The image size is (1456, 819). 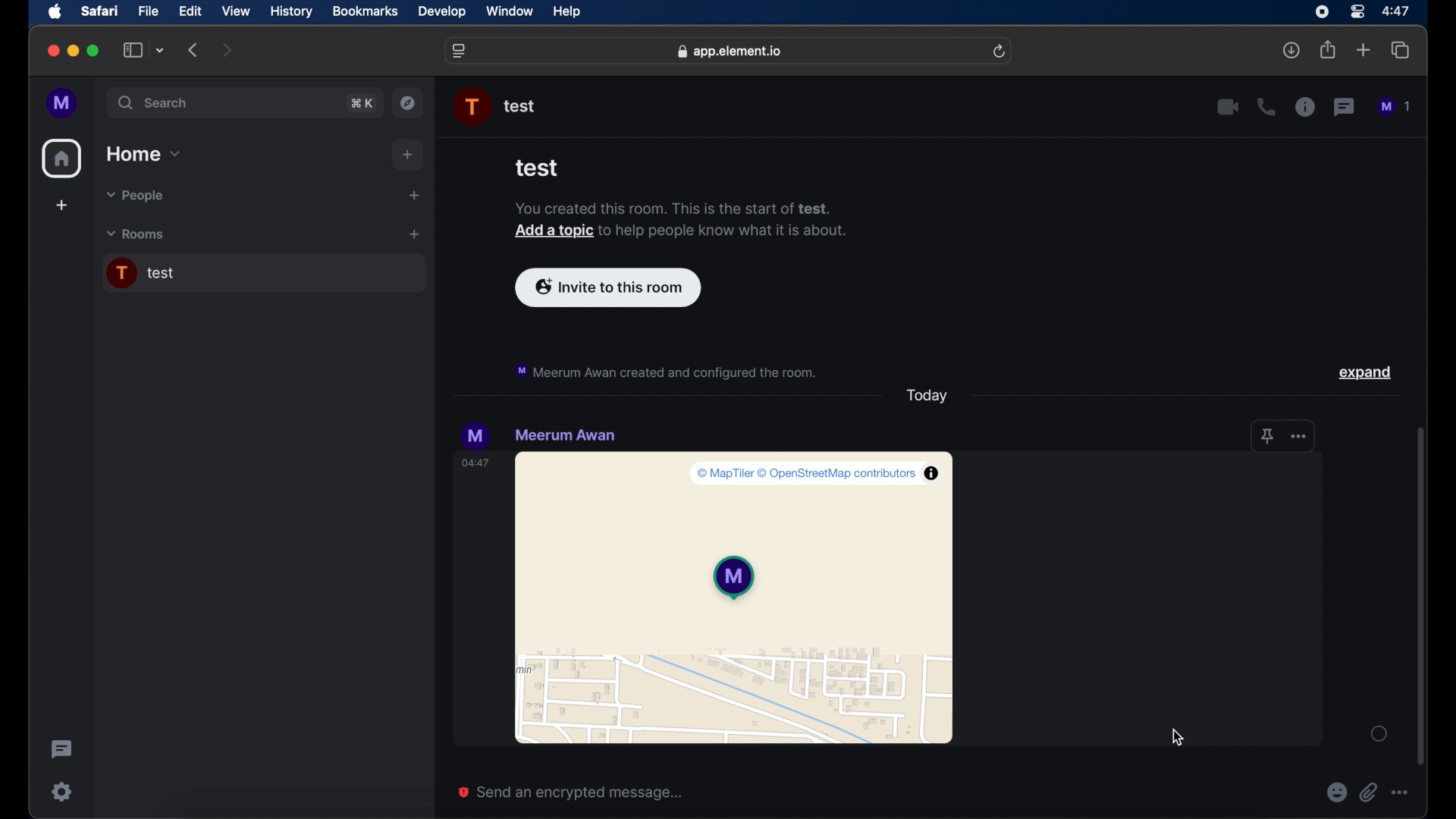 I want to click on threading activity, so click(x=61, y=749).